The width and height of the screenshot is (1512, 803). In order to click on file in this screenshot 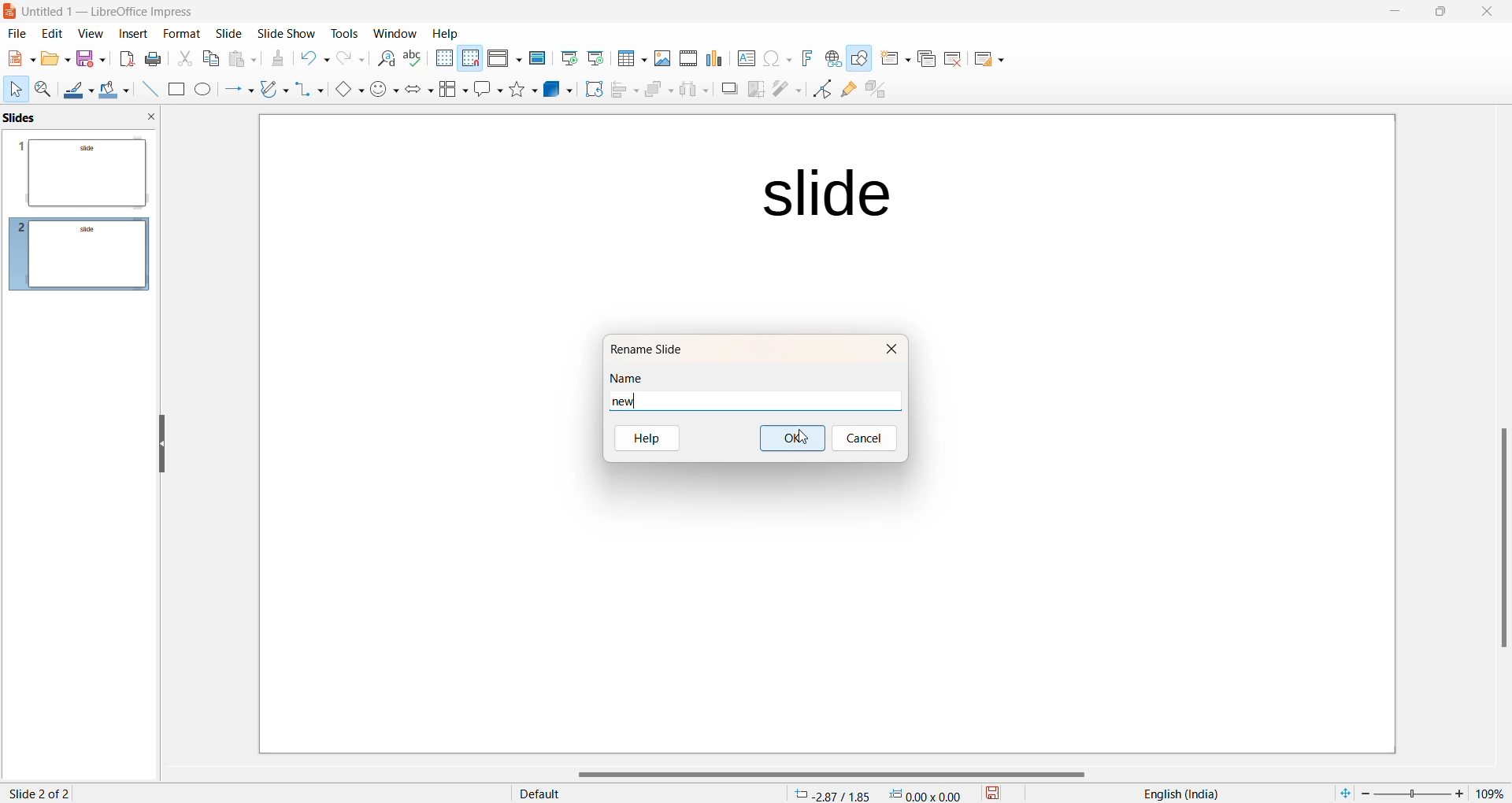, I will do `click(15, 35)`.